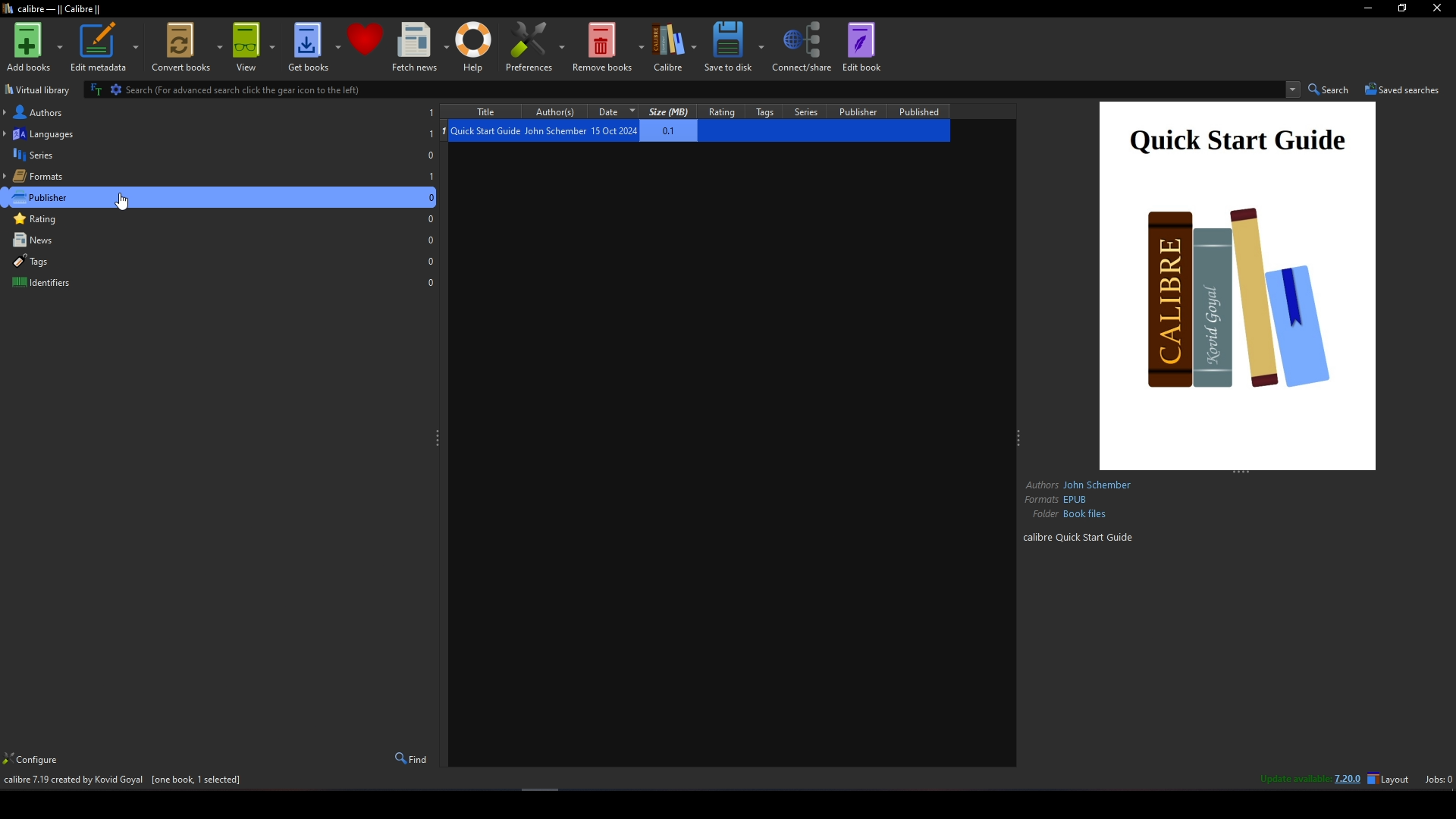 This screenshot has width=1456, height=819. Describe the element at coordinates (125, 781) in the screenshot. I see `calibre 7.19 created by Kovid Goyal [one book, 1 selectet` at that location.